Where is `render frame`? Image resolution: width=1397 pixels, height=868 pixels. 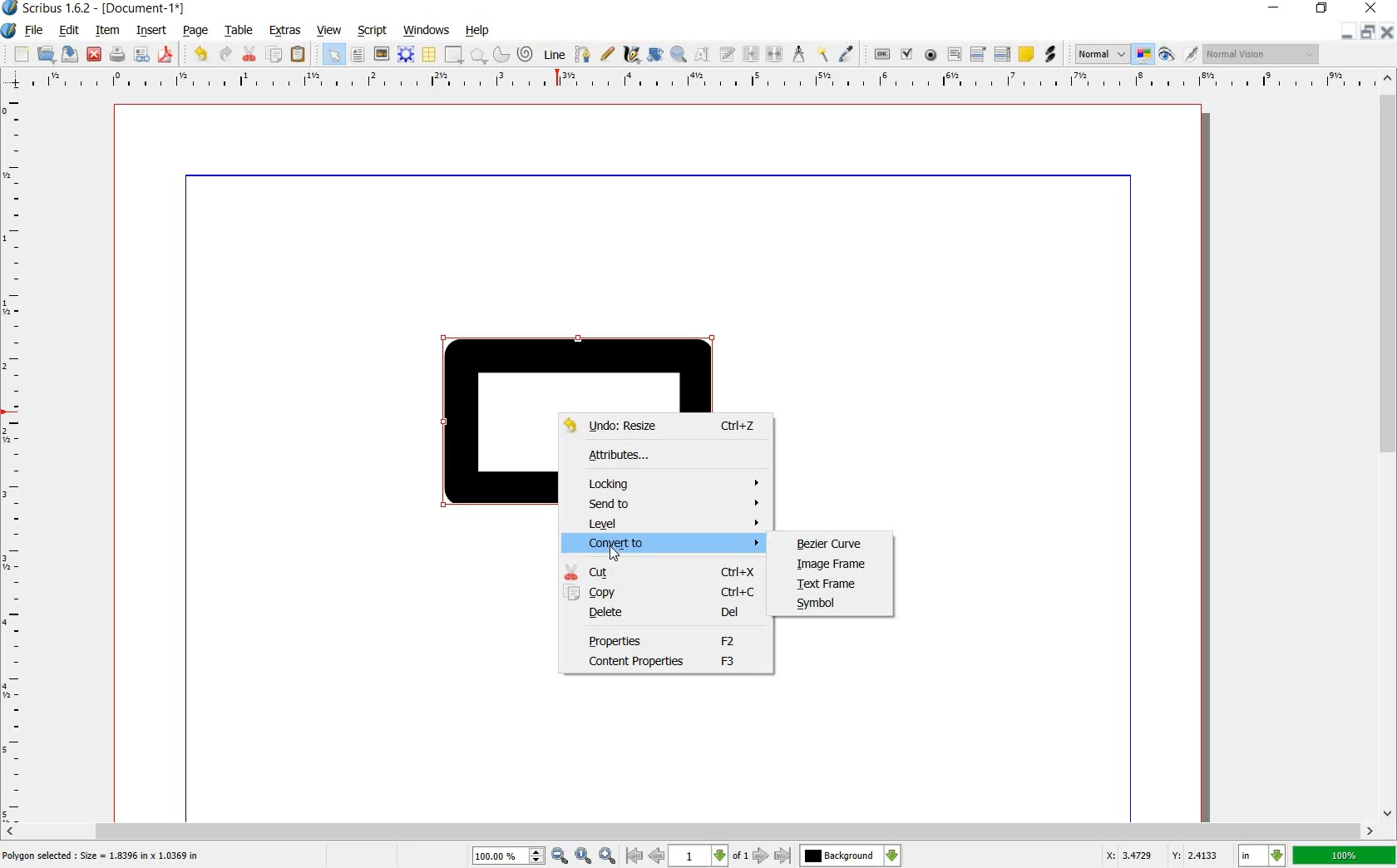
render frame is located at coordinates (403, 53).